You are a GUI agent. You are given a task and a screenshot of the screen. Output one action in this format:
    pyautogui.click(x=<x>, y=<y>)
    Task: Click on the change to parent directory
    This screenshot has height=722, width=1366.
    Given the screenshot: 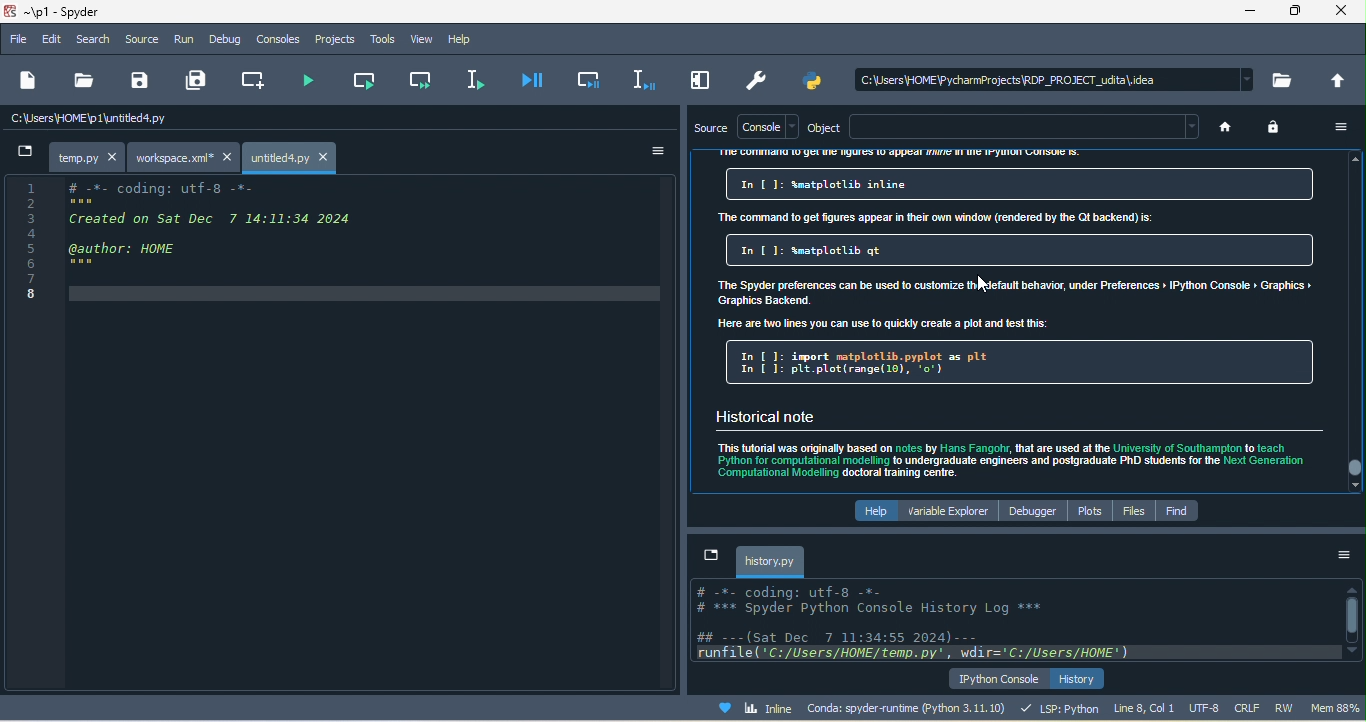 What is the action you would take?
    pyautogui.click(x=1334, y=81)
    